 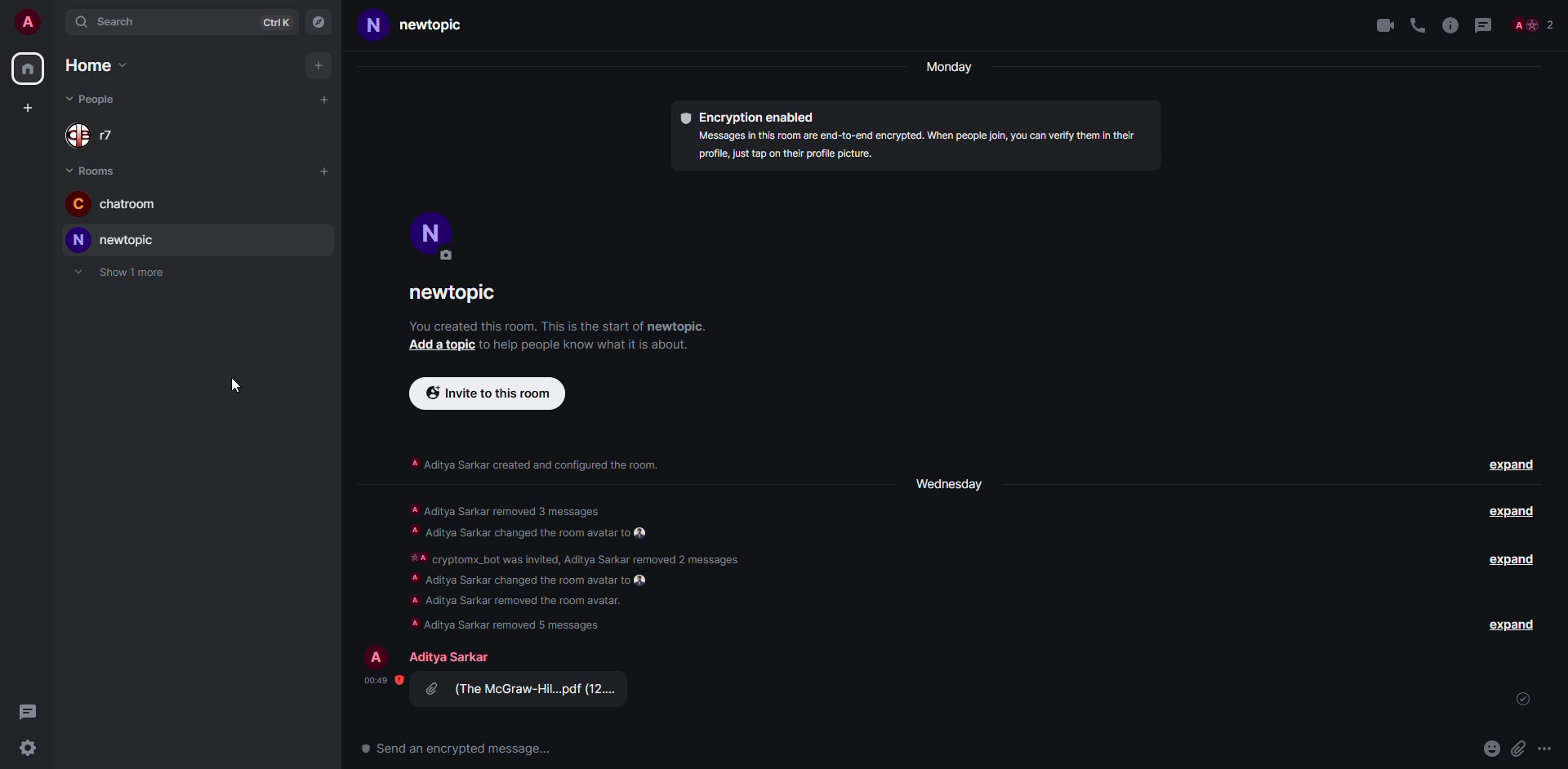 I want to click on add, so click(x=326, y=171).